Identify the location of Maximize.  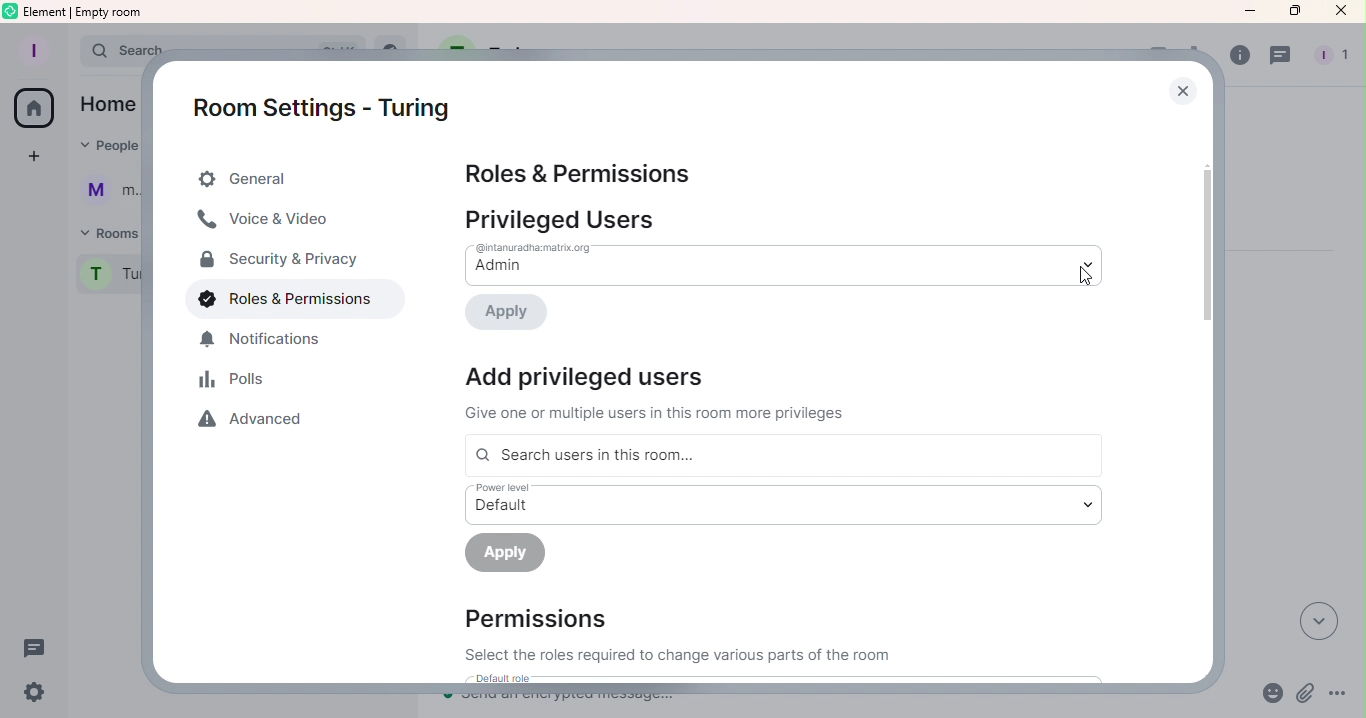
(1288, 12).